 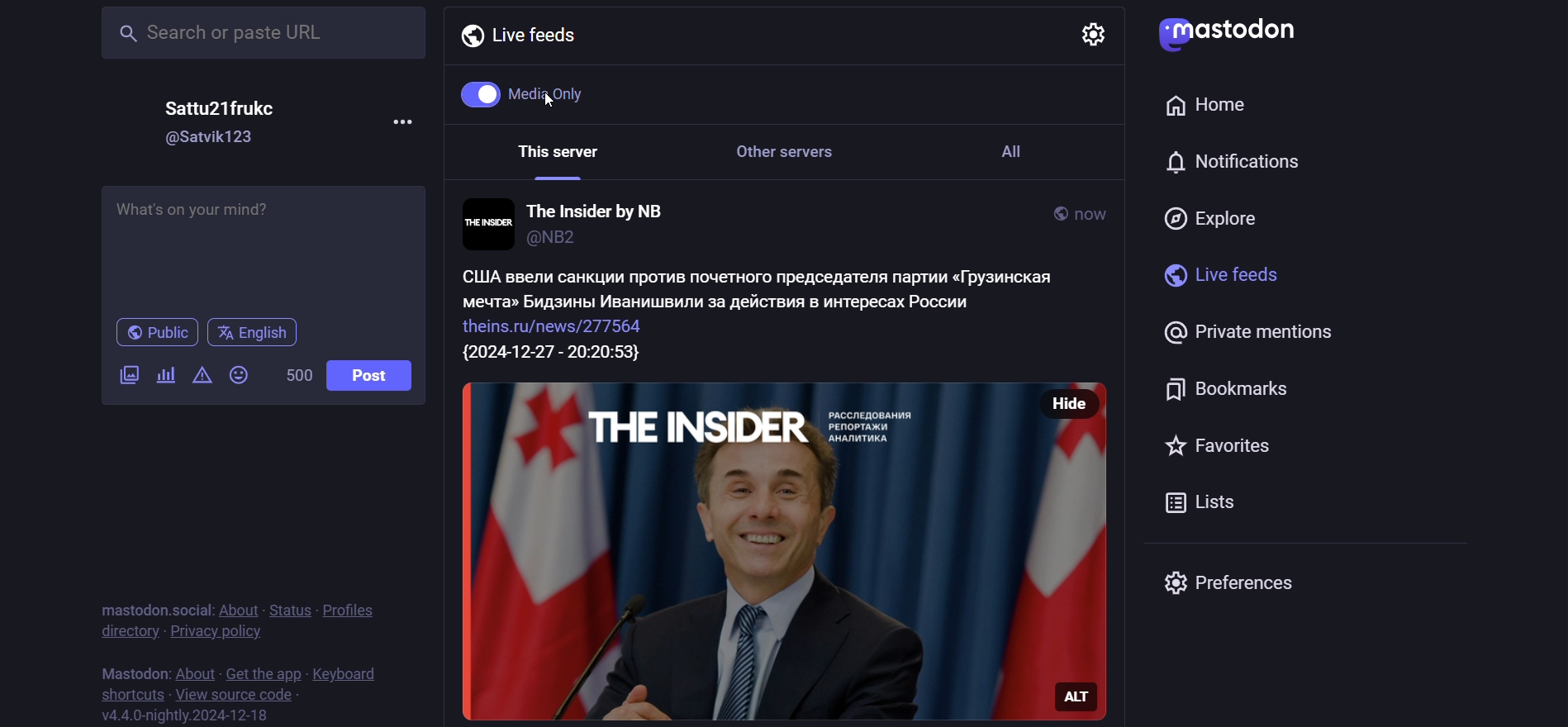 What do you see at coordinates (349, 611) in the screenshot?
I see `profiles` at bounding box center [349, 611].